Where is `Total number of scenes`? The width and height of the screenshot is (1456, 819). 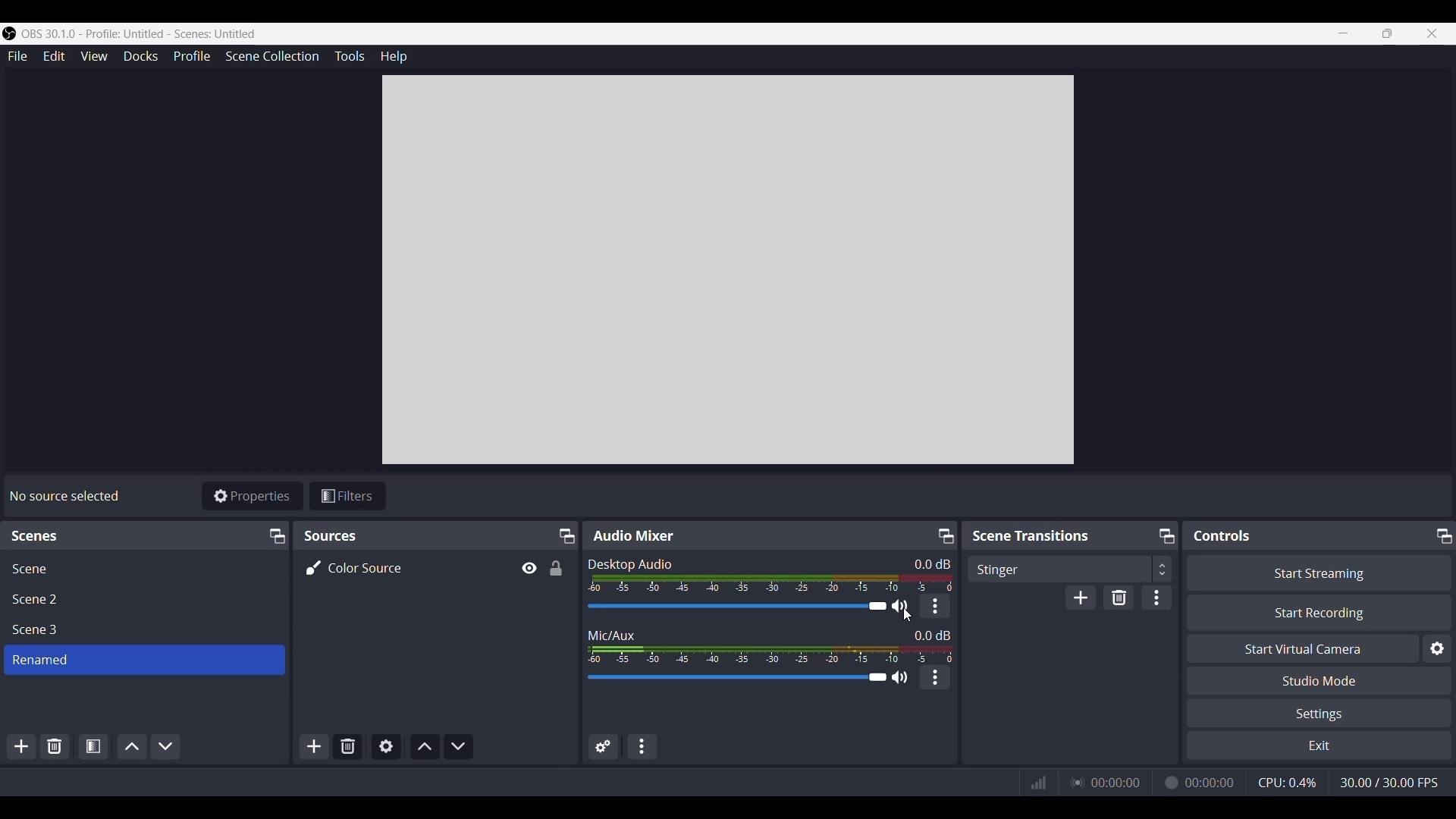
Total number of scenes is located at coordinates (37, 600).